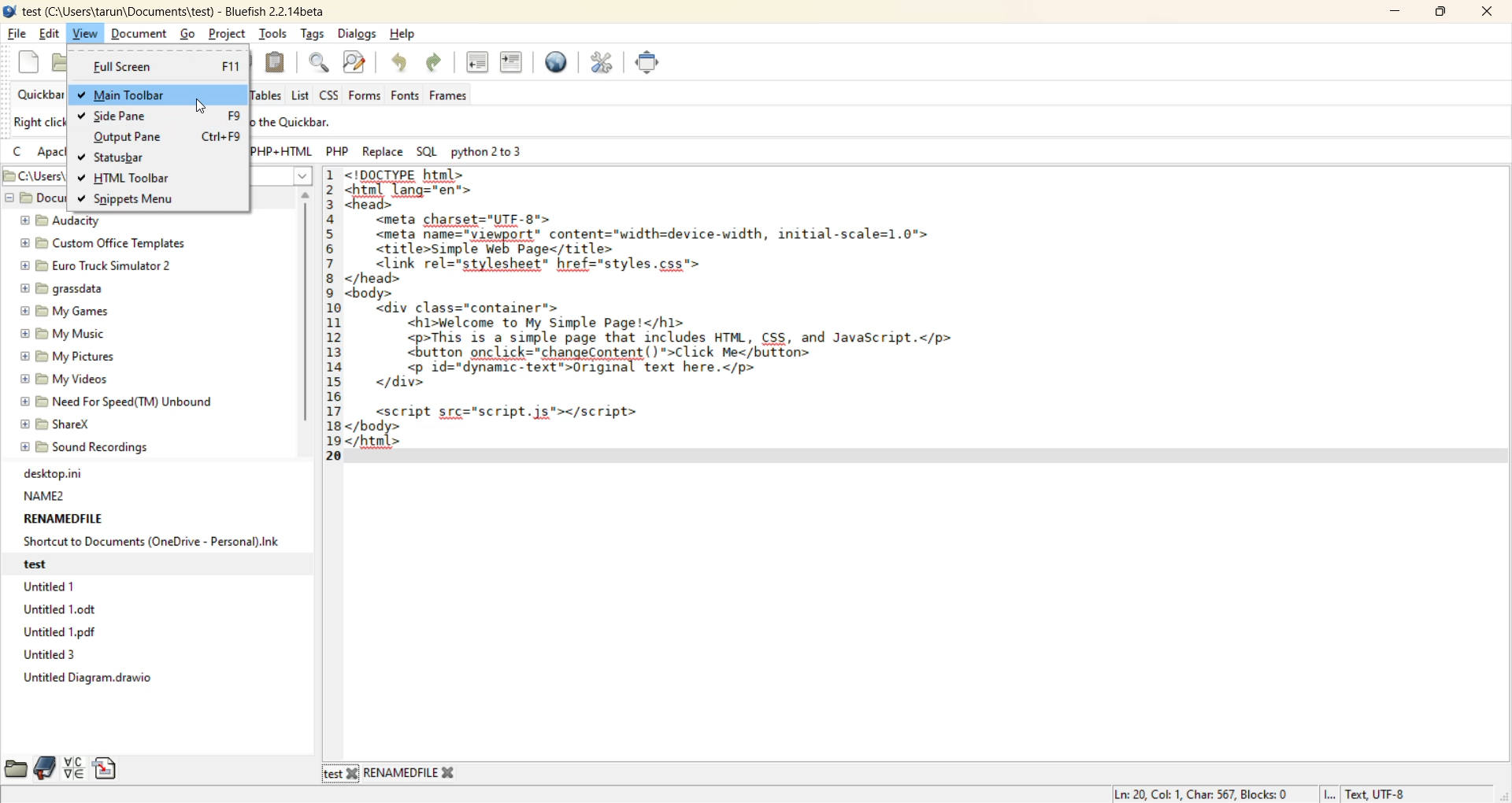  What do you see at coordinates (62, 334) in the screenshot?
I see `@ FB My Music` at bounding box center [62, 334].